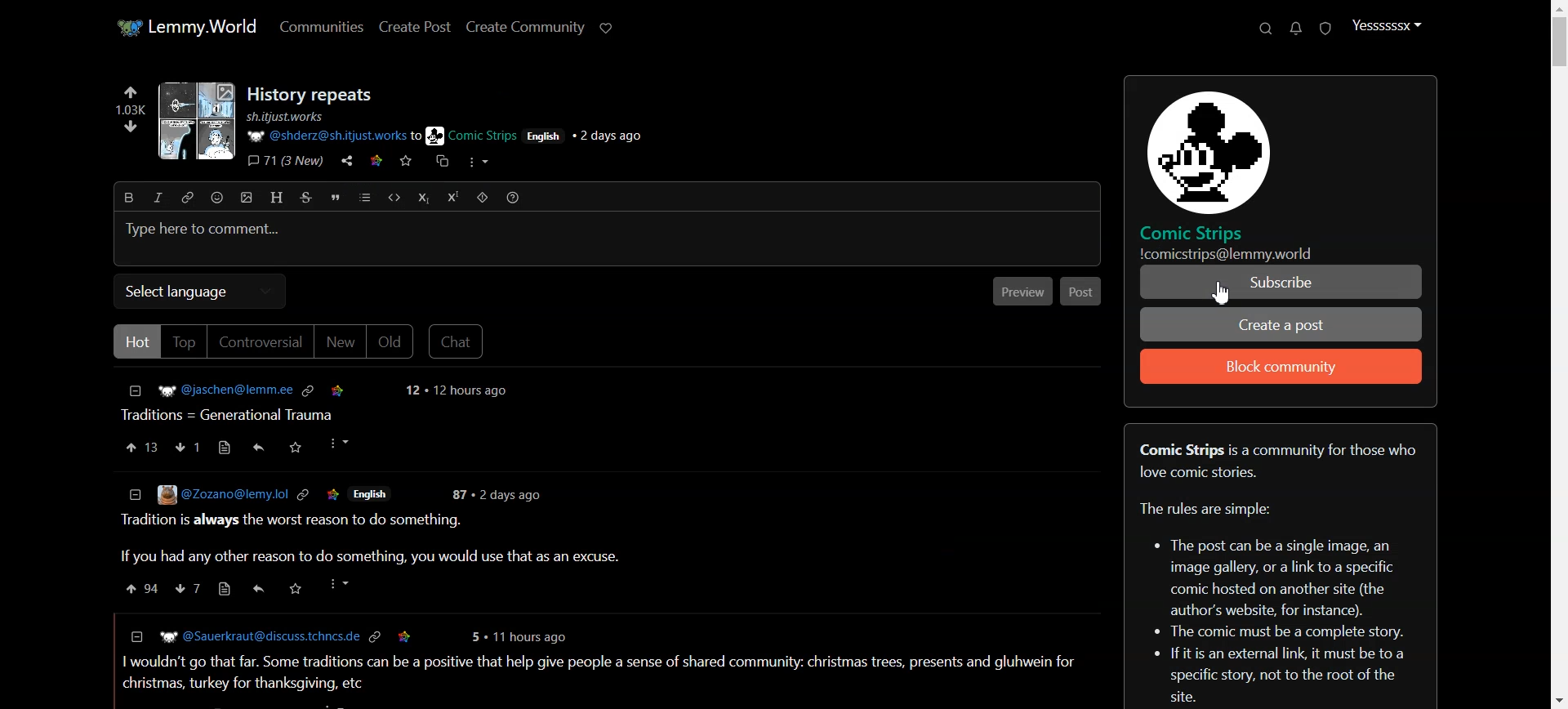 The height and width of the screenshot is (709, 1568). I want to click on 2 days ago, so click(615, 136).